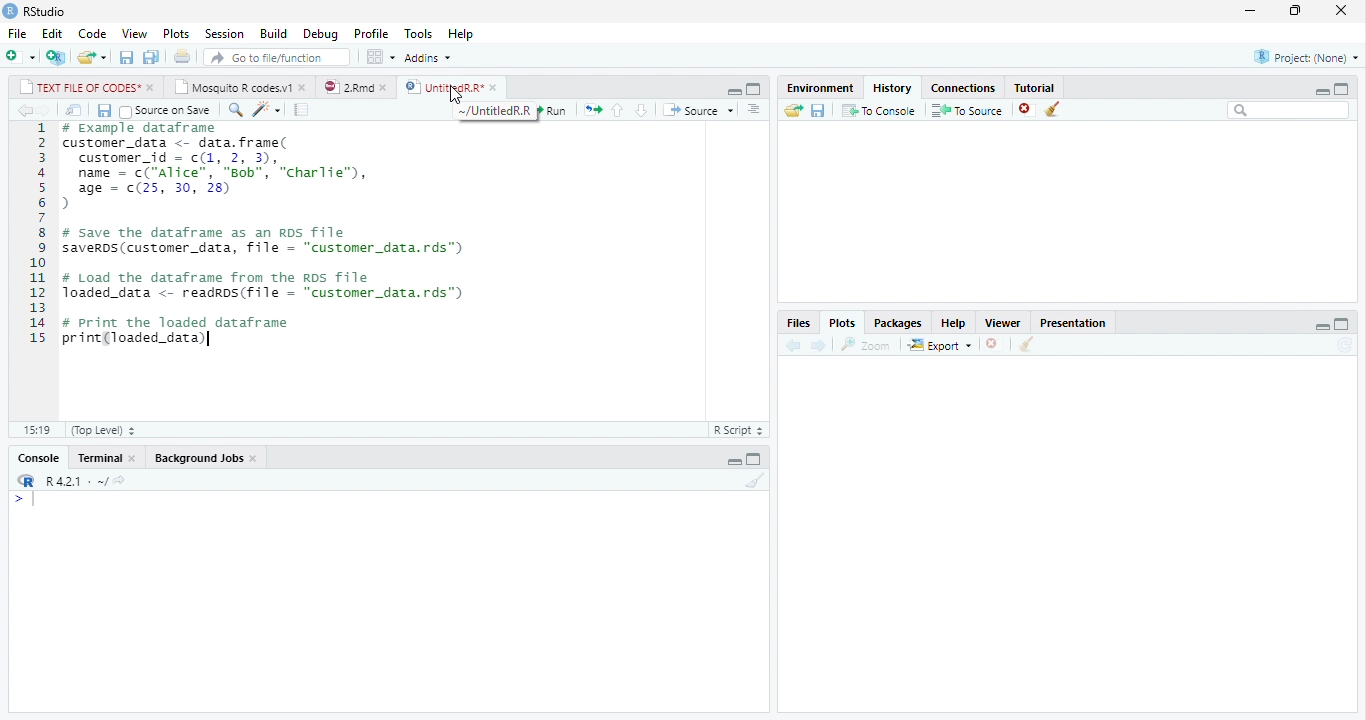 This screenshot has height=720, width=1366. What do you see at coordinates (592, 111) in the screenshot?
I see `rerun` at bounding box center [592, 111].